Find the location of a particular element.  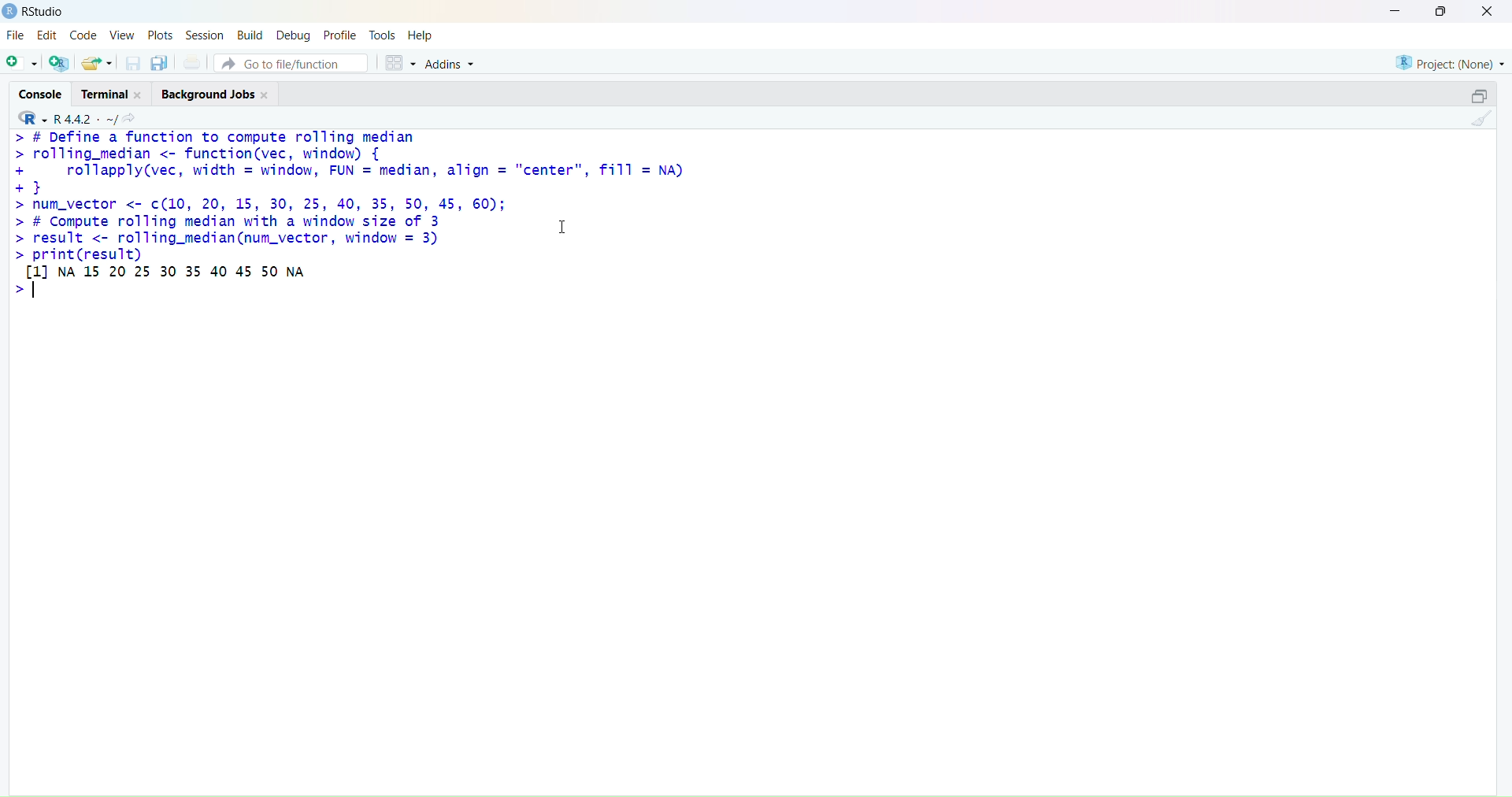

background jobs is located at coordinates (208, 96).